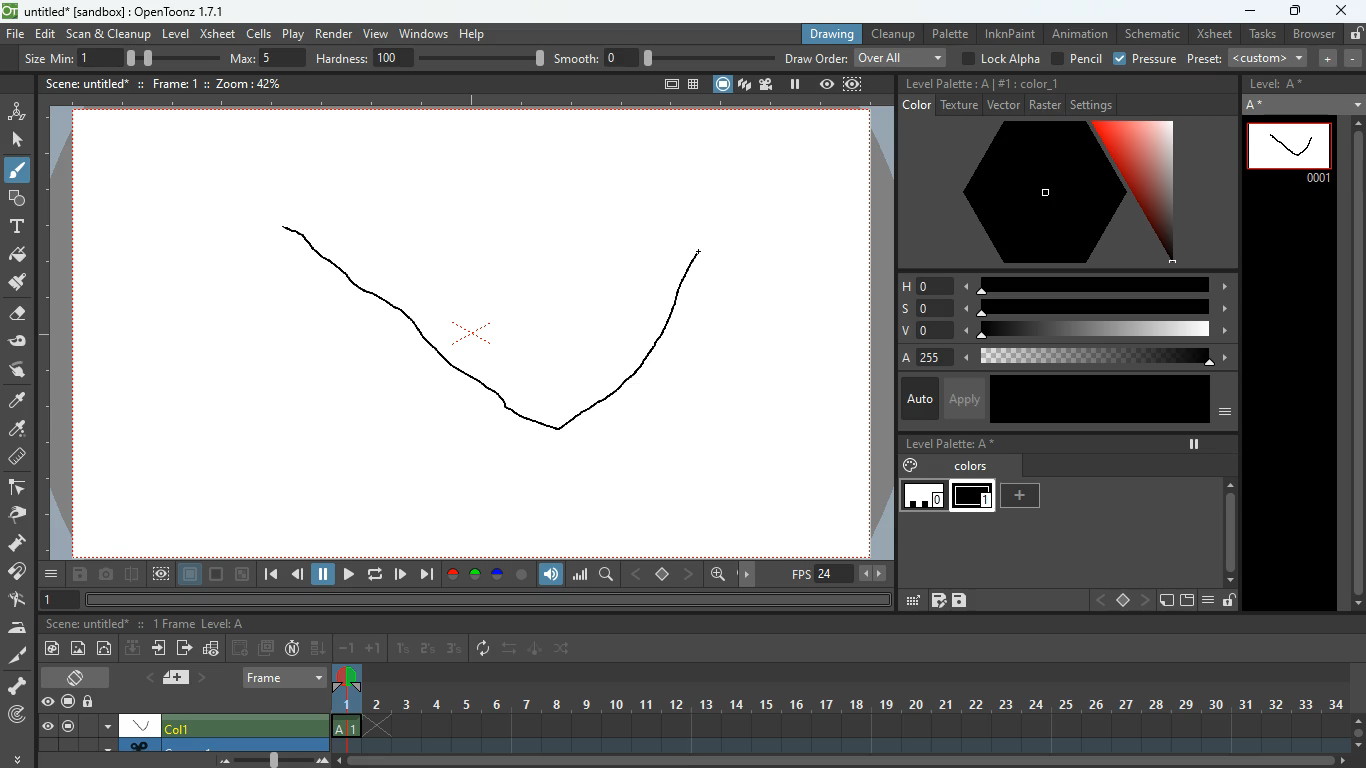 The height and width of the screenshot is (768, 1366). What do you see at coordinates (511, 648) in the screenshot?
I see `swap` at bounding box center [511, 648].